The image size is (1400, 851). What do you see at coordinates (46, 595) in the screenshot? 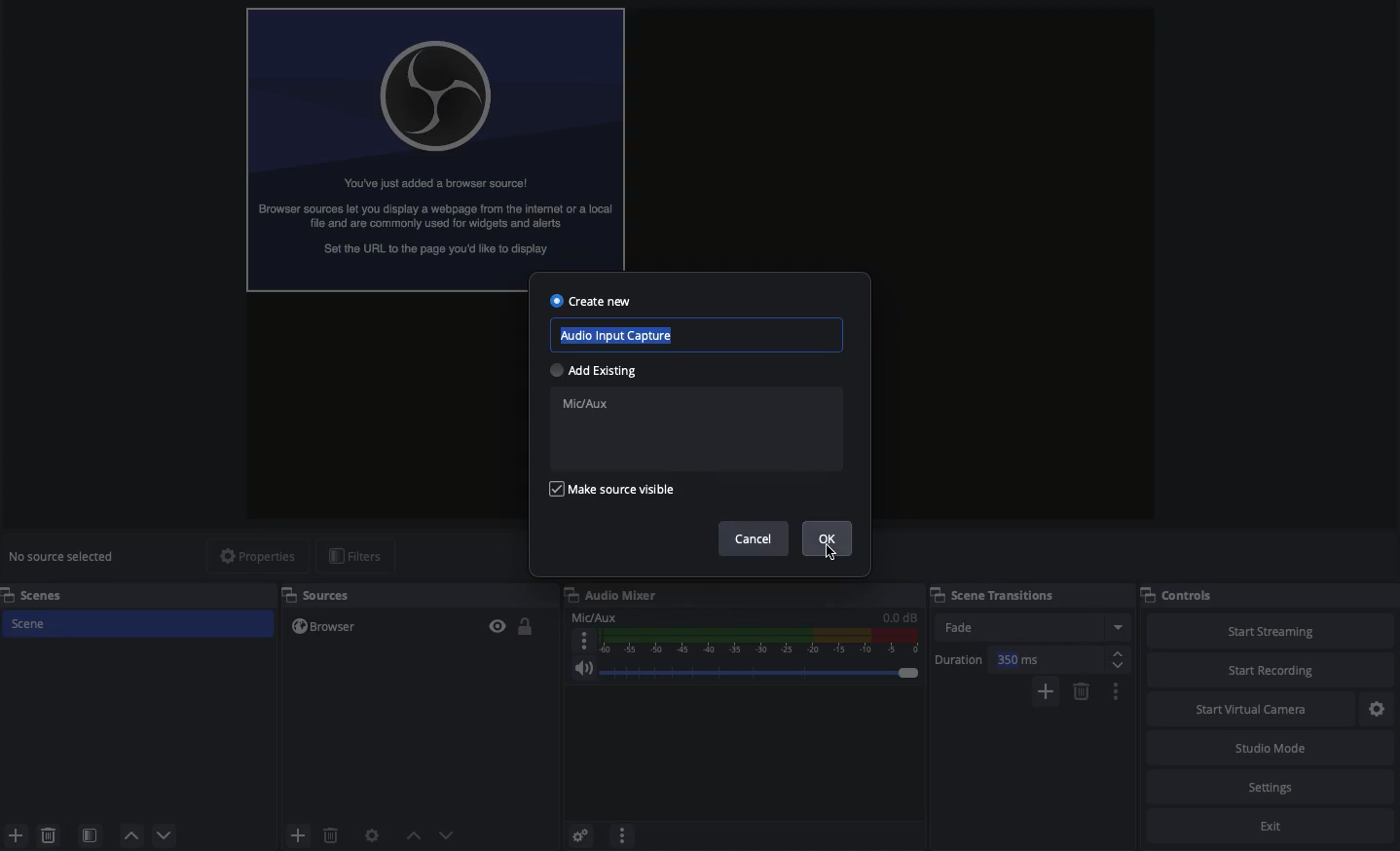
I see `Scenes` at bounding box center [46, 595].